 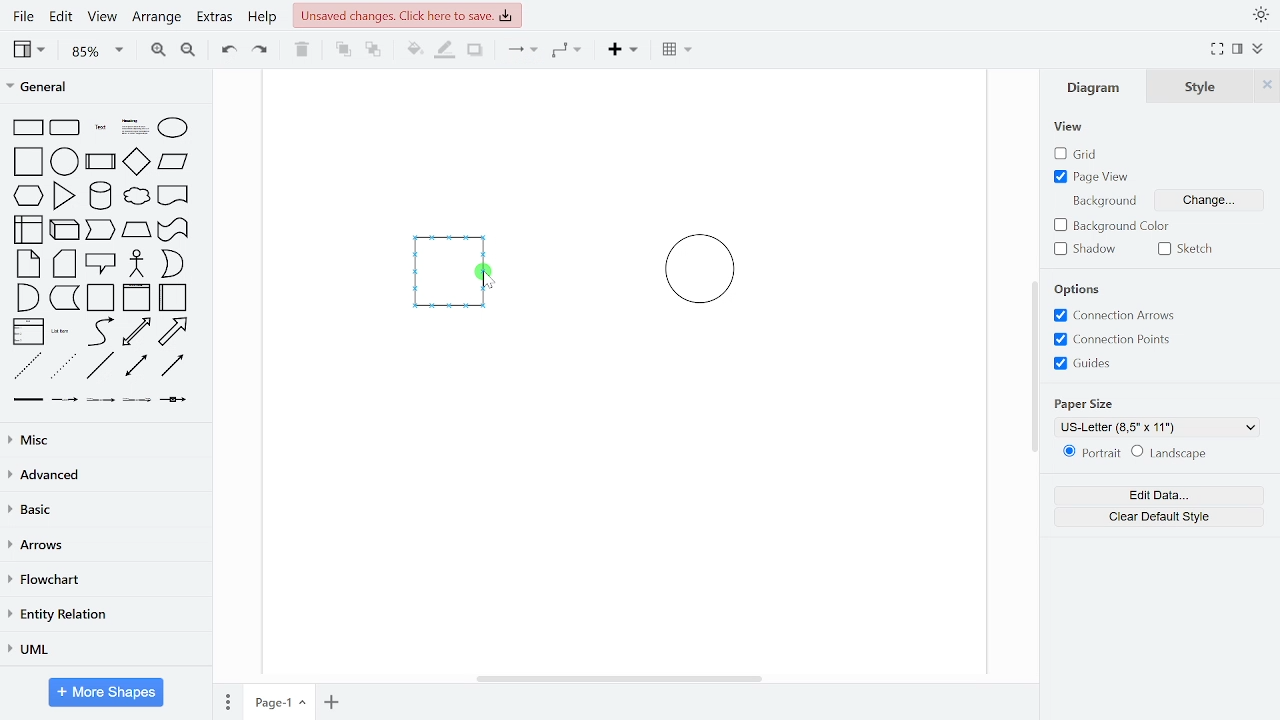 What do you see at coordinates (65, 297) in the screenshot?
I see `data storage` at bounding box center [65, 297].